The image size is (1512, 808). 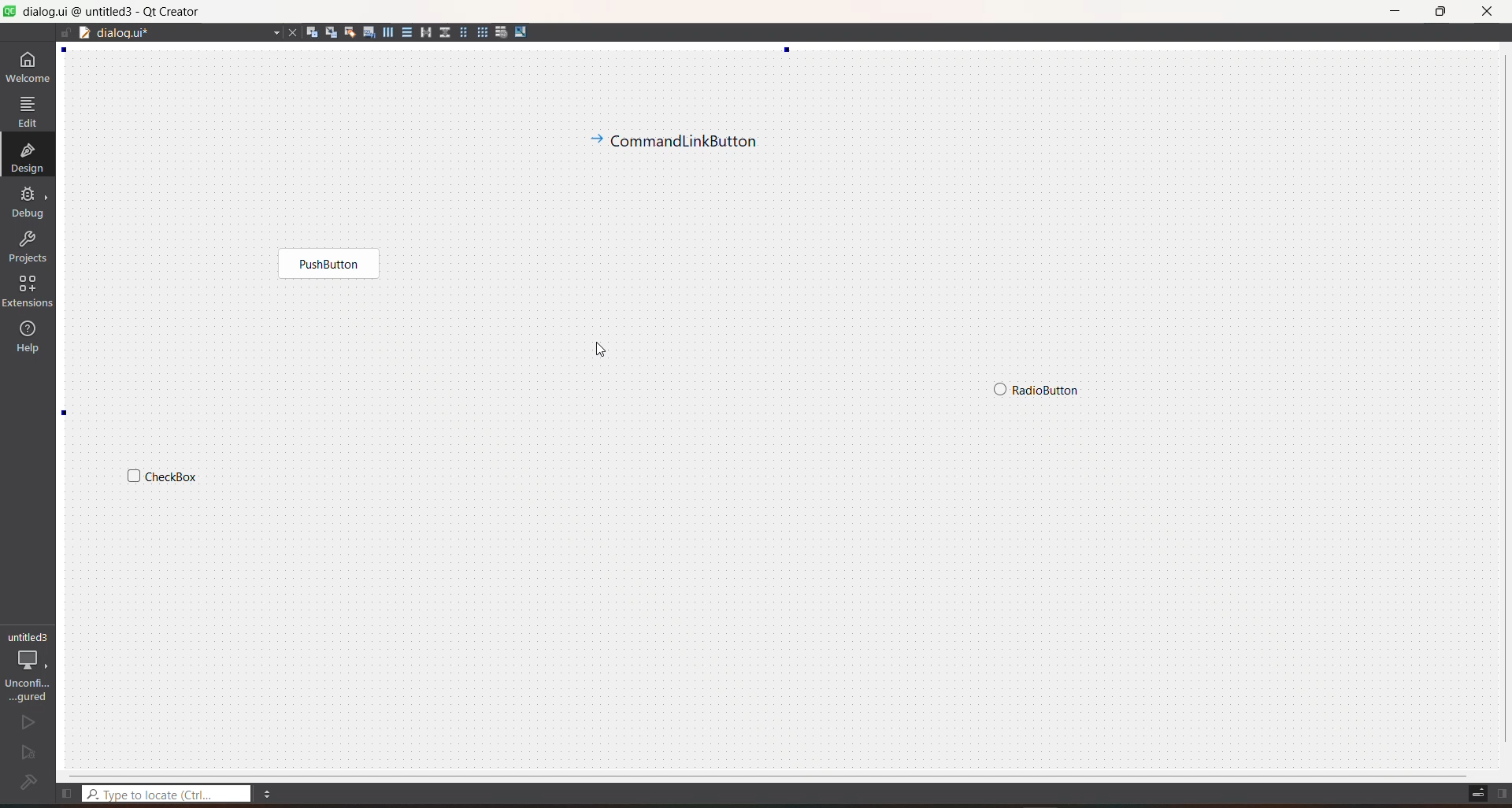 I want to click on edit, so click(x=27, y=113).